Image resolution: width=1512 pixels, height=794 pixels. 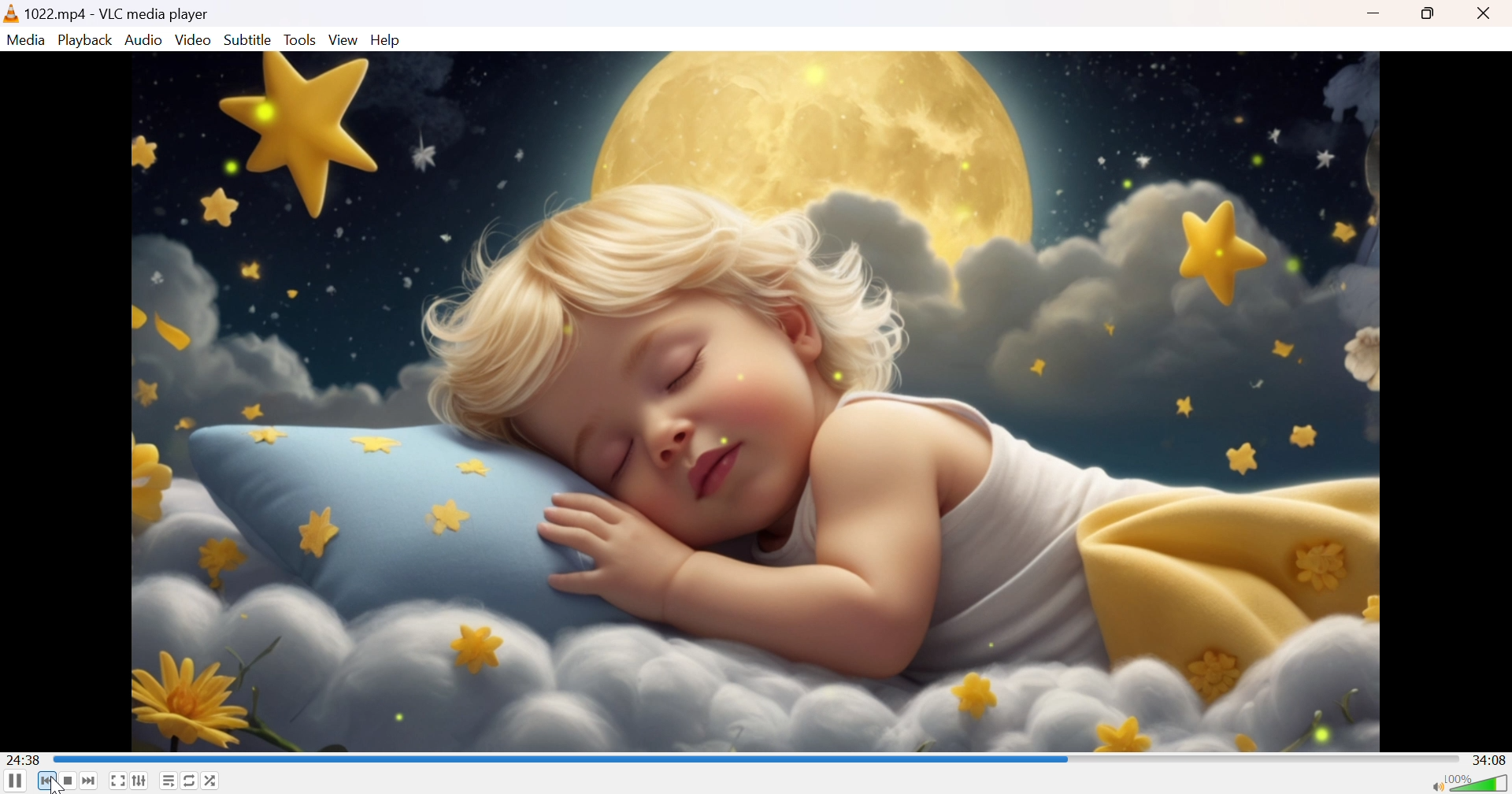 I want to click on 24:08, so click(x=28, y=760).